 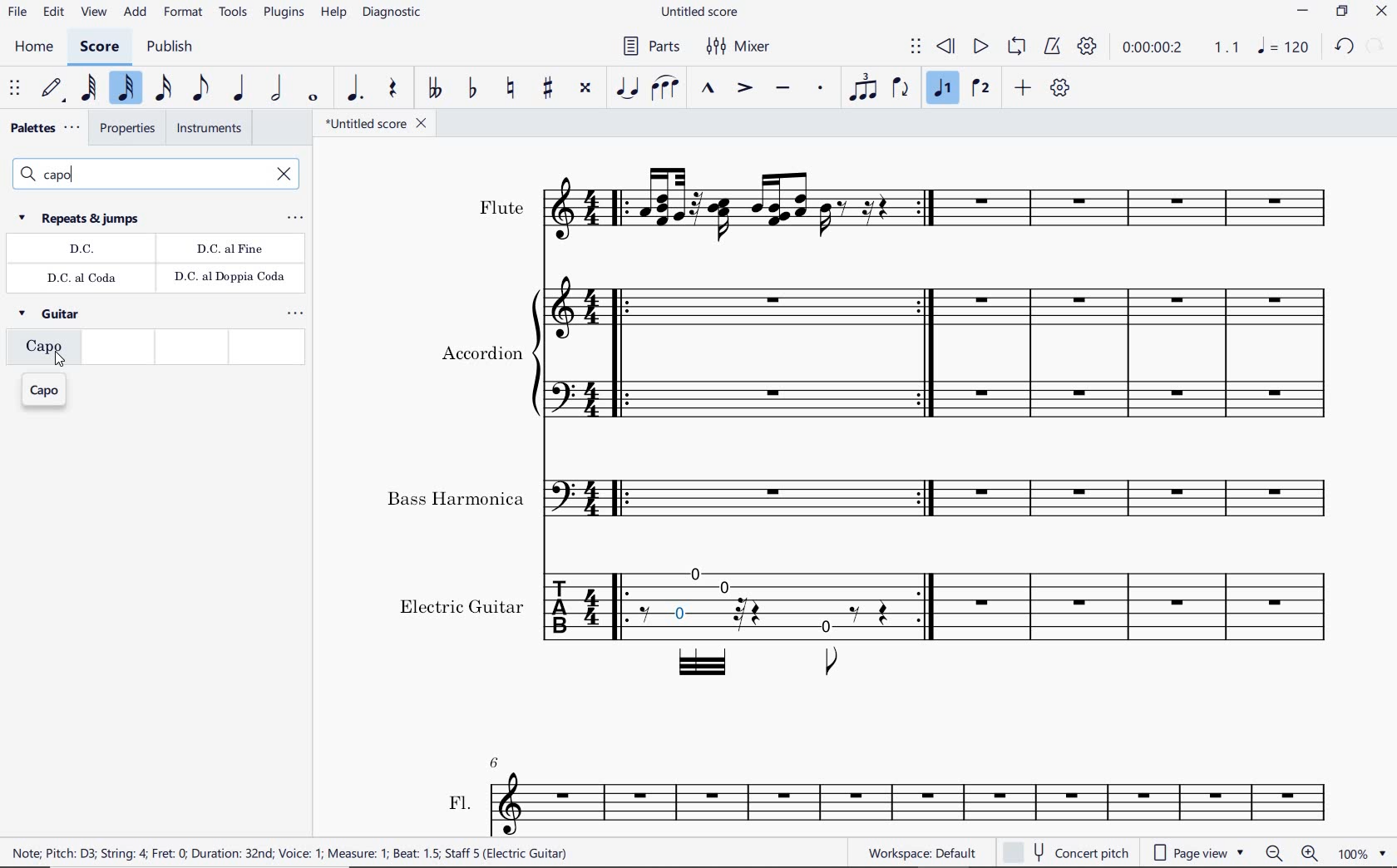 I want to click on staccato, so click(x=821, y=89).